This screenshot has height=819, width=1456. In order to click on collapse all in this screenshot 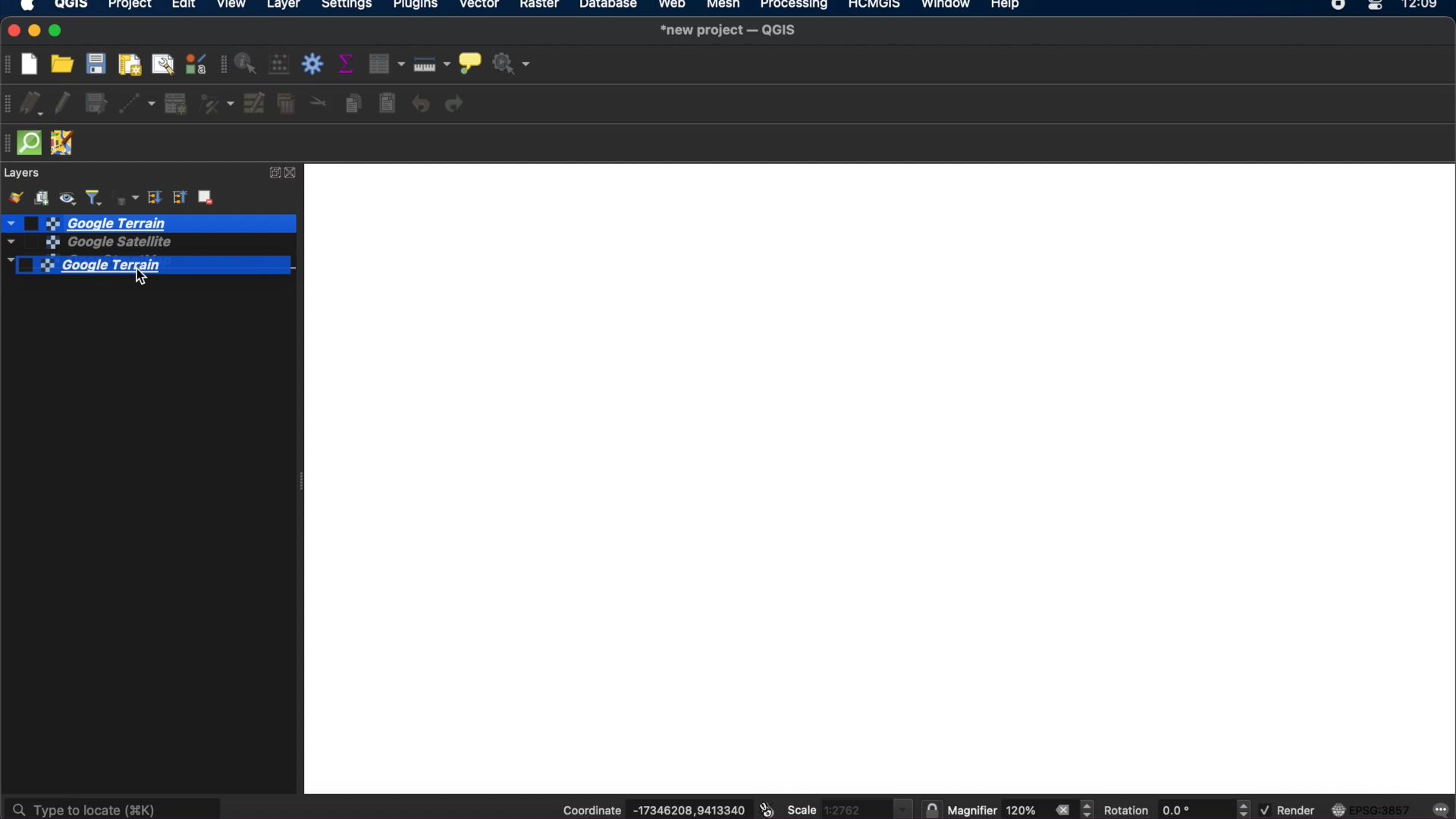, I will do `click(180, 198)`.